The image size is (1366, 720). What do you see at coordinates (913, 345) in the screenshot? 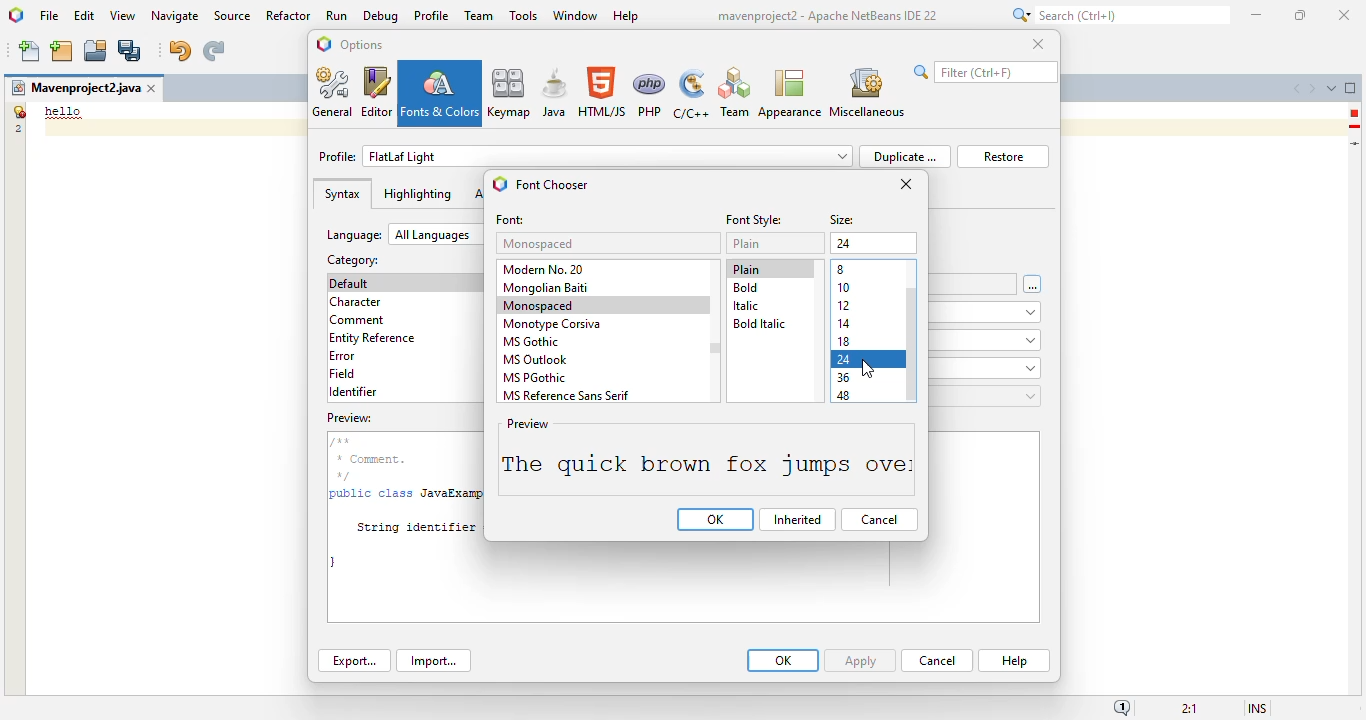
I see `vertical scroll bar` at bounding box center [913, 345].